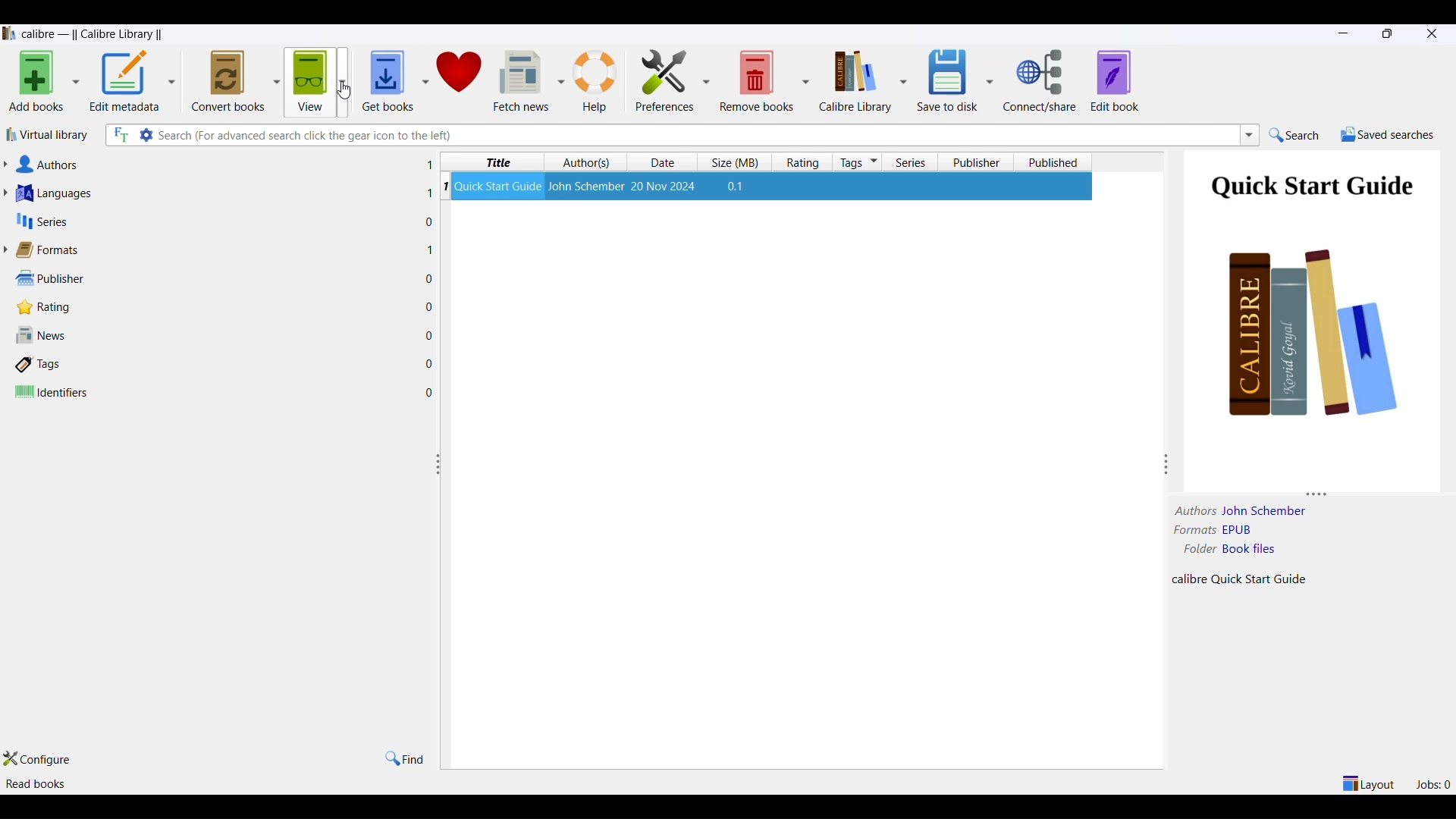  I want to click on search, so click(1301, 135).